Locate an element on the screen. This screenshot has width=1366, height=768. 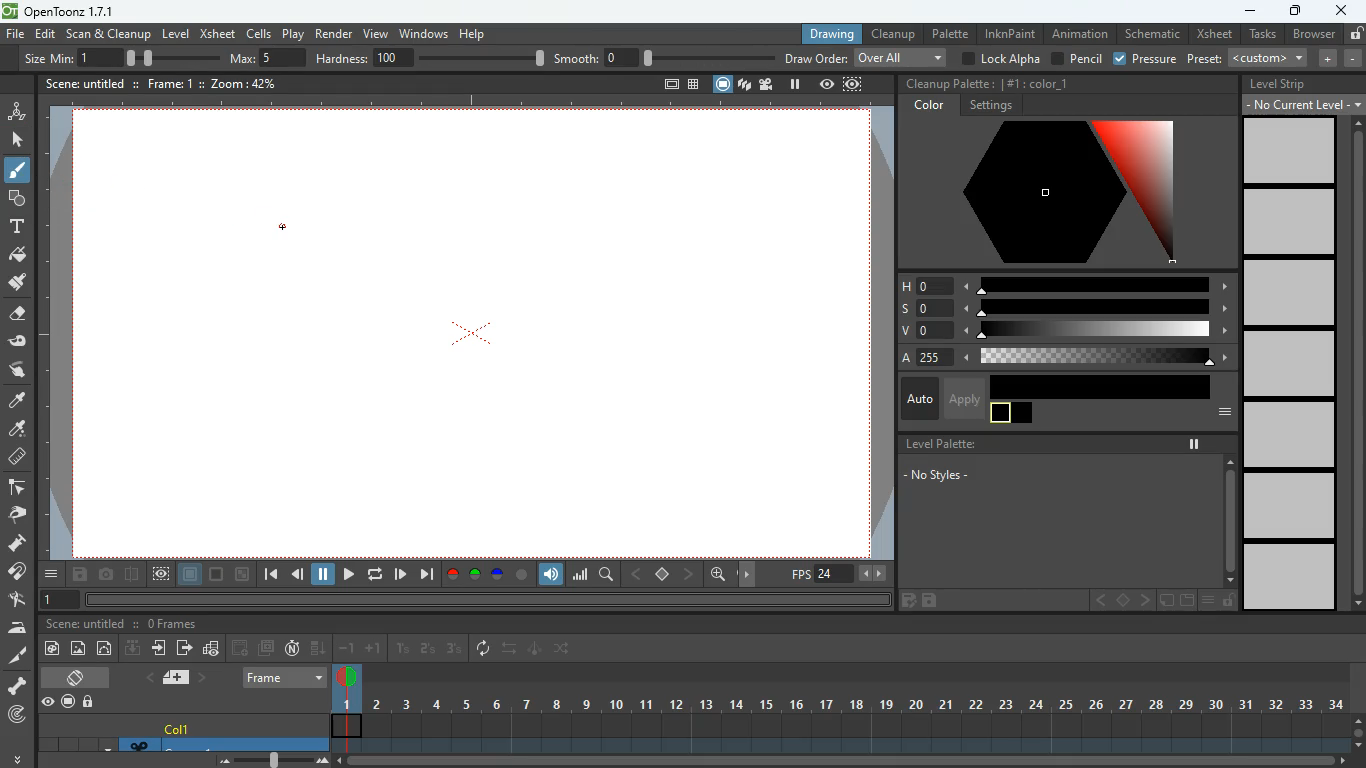
color is located at coordinates (522, 575).